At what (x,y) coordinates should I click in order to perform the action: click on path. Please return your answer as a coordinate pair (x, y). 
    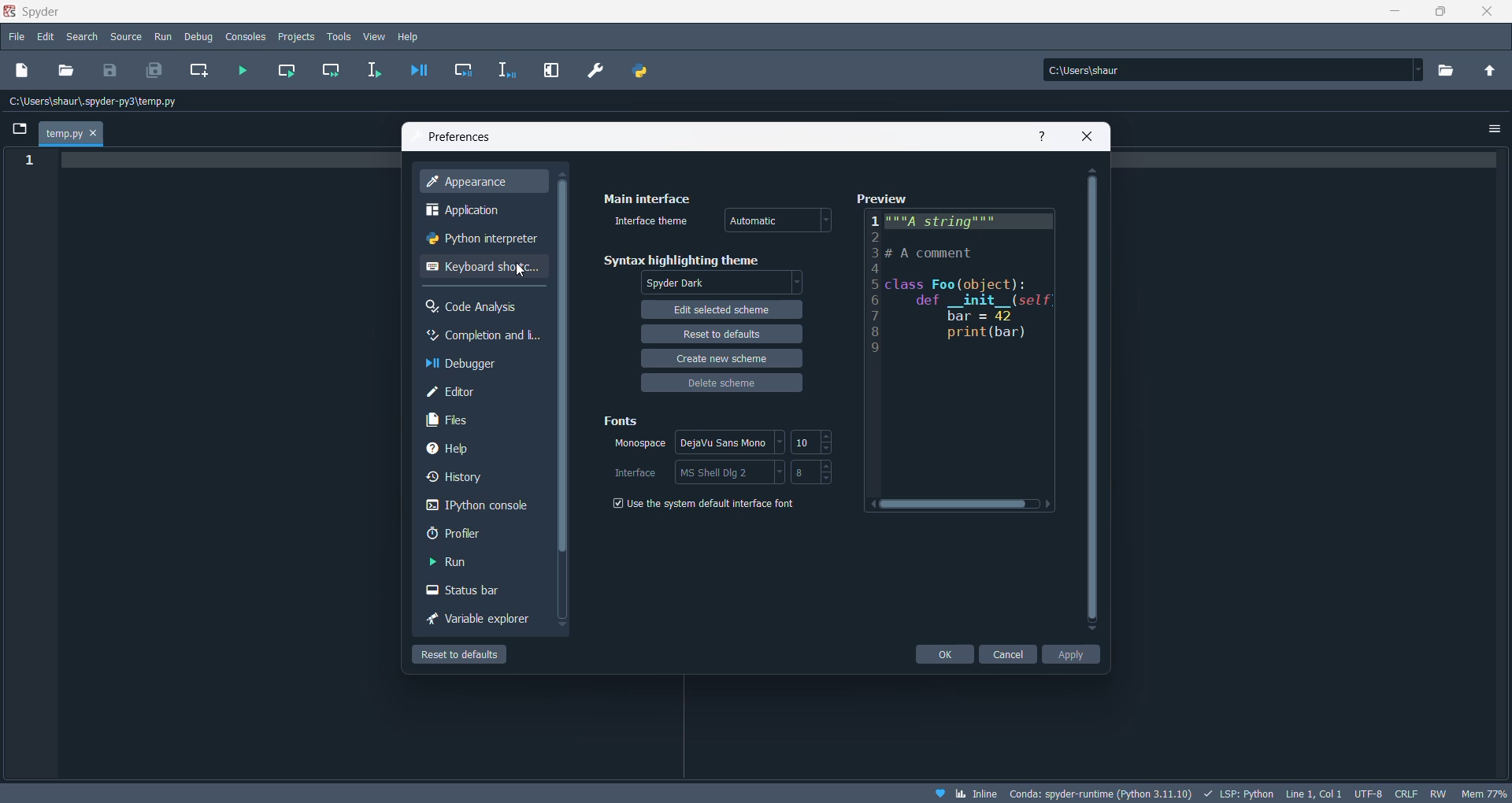
    Looking at the image, I should click on (101, 102).